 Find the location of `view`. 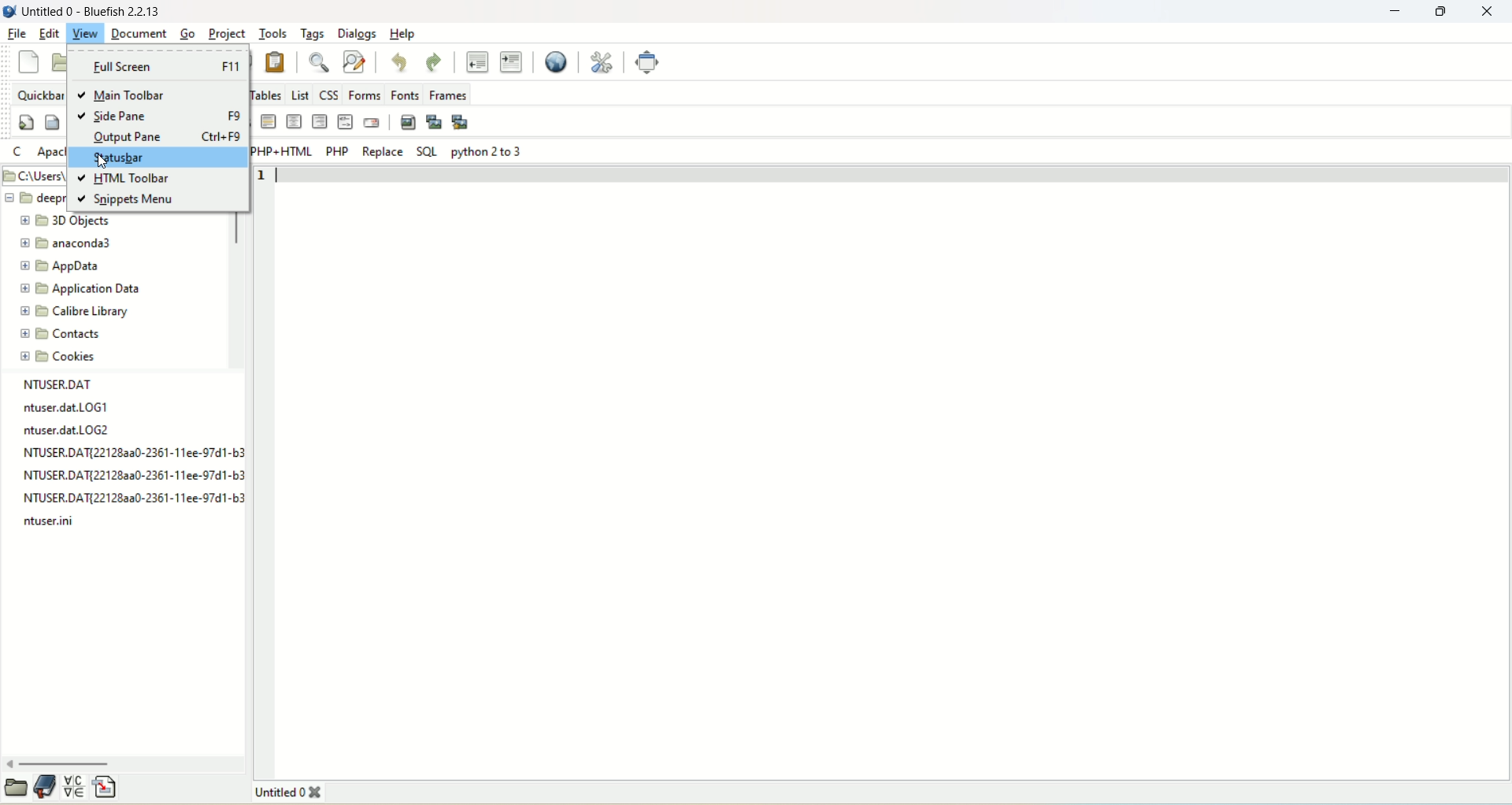

view is located at coordinates (86, 33).